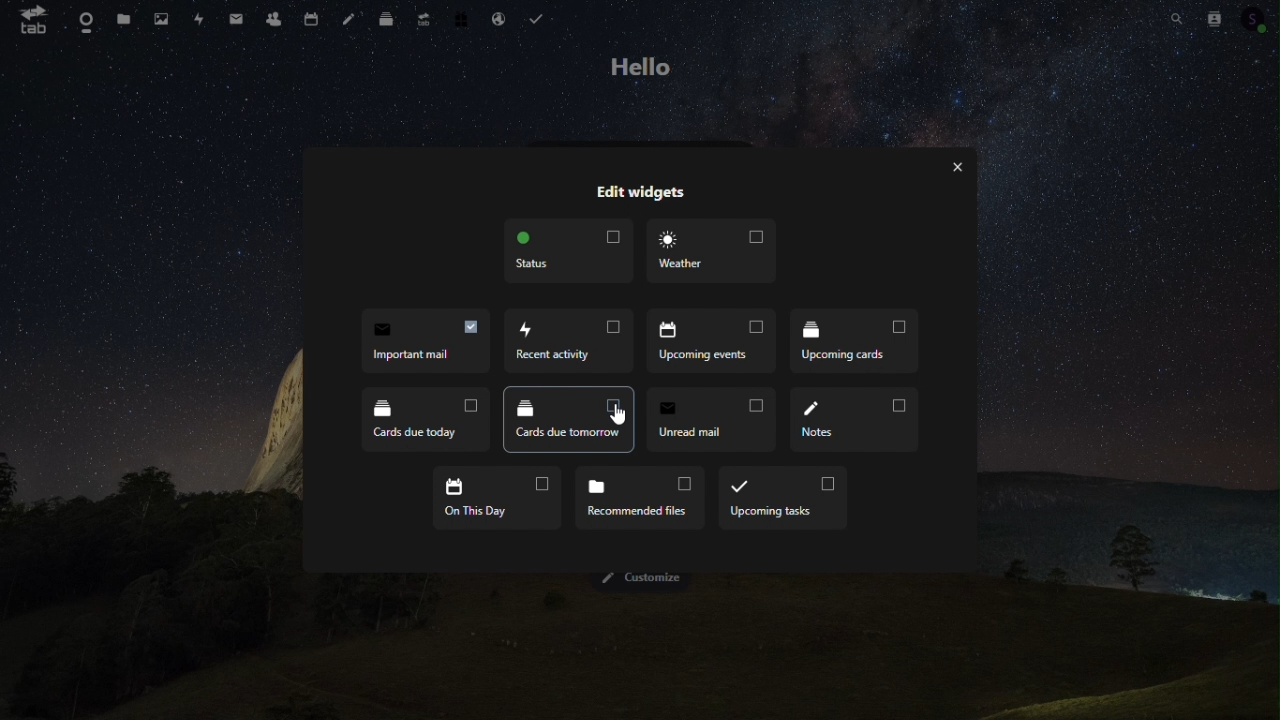  I want to click on files, so click(123, 17).